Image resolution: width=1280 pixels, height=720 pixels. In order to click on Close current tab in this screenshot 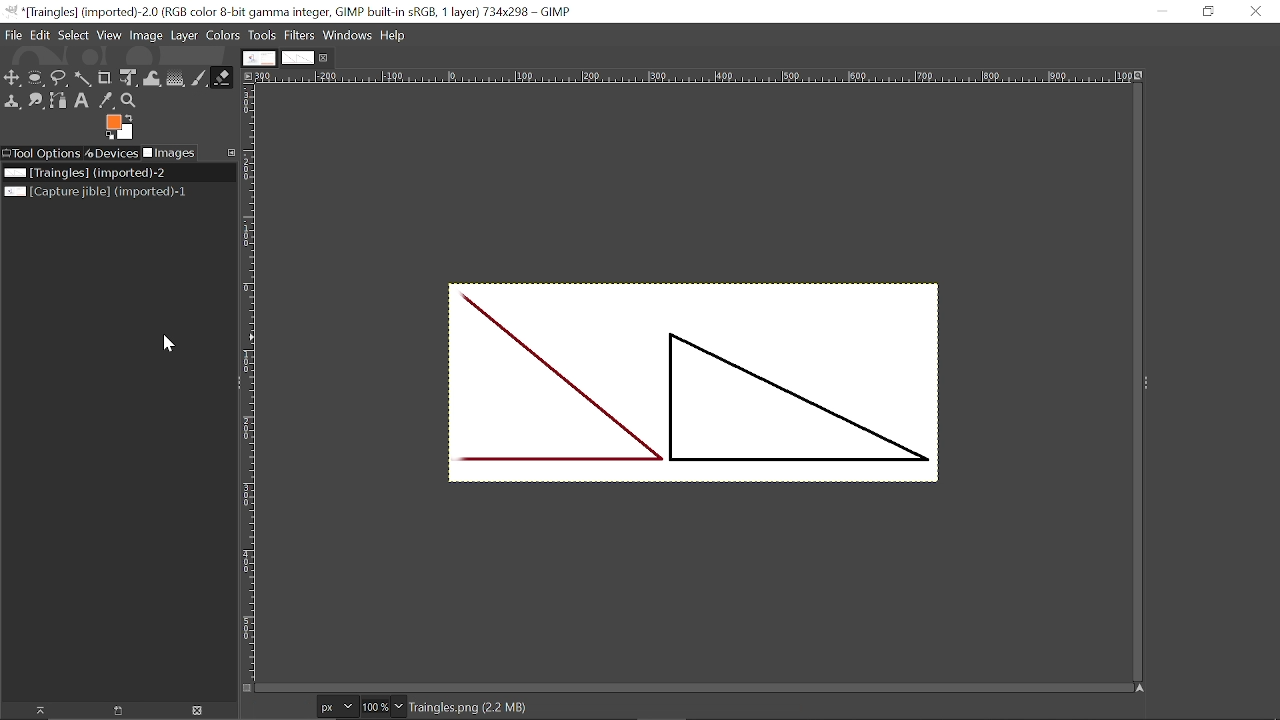, I will do `click(325, 58)`.